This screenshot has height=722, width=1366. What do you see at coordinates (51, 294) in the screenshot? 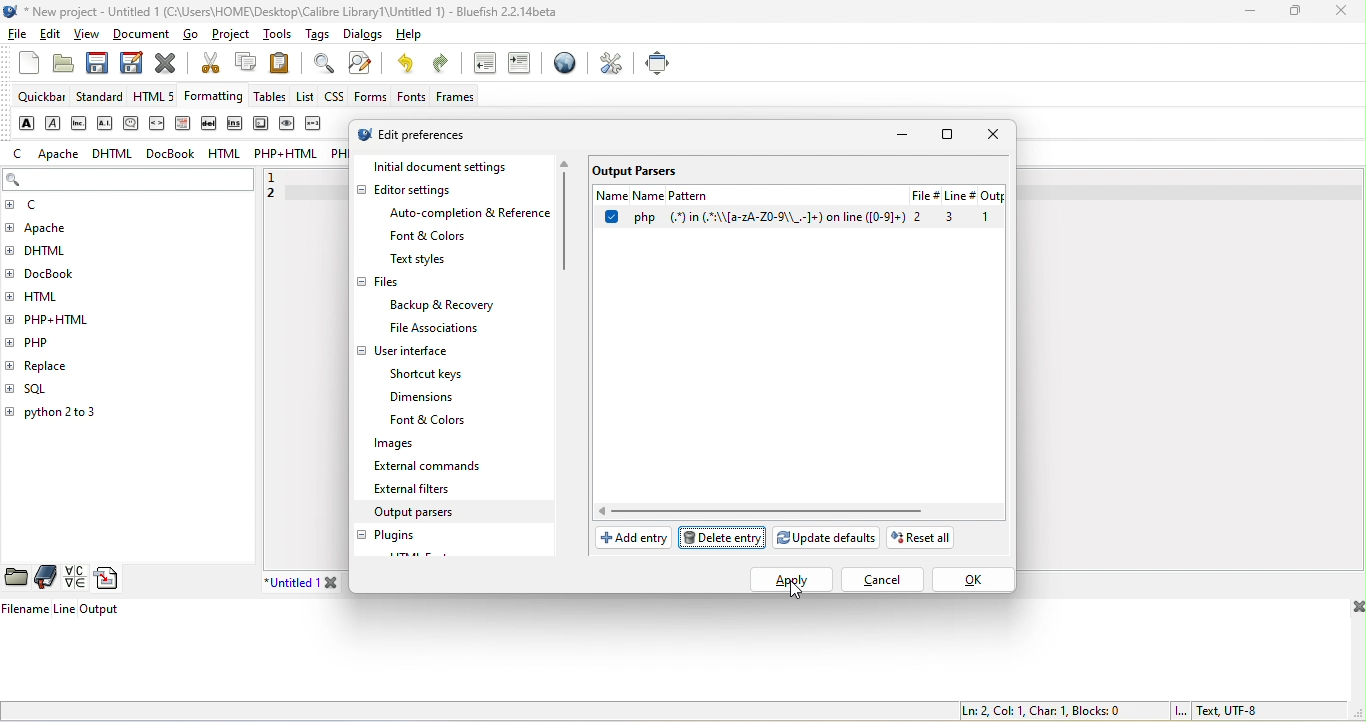
I see `html` at bounding box center [51, 294].